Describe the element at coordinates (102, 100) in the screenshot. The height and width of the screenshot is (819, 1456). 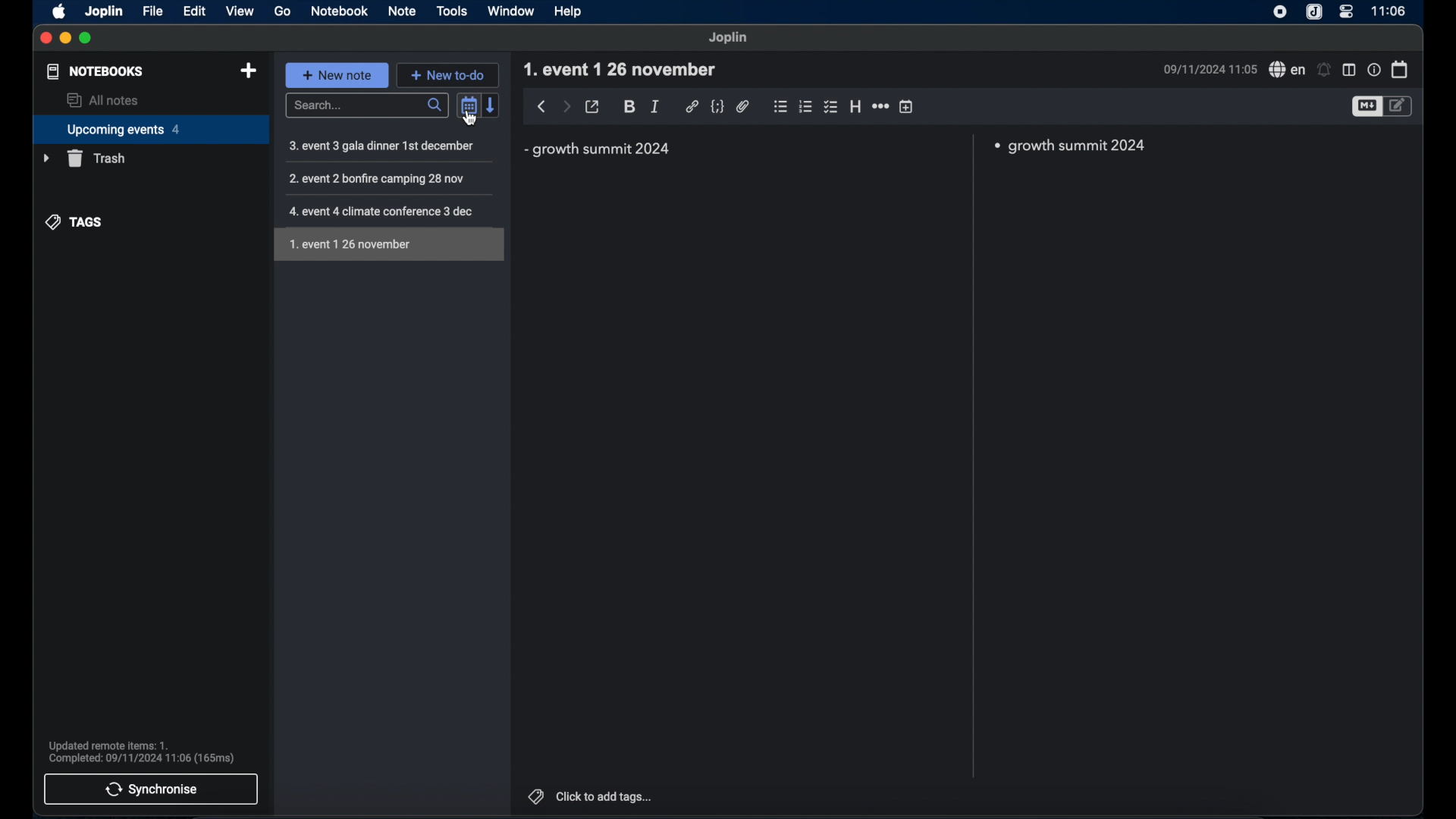
I see `all notes` at that location.